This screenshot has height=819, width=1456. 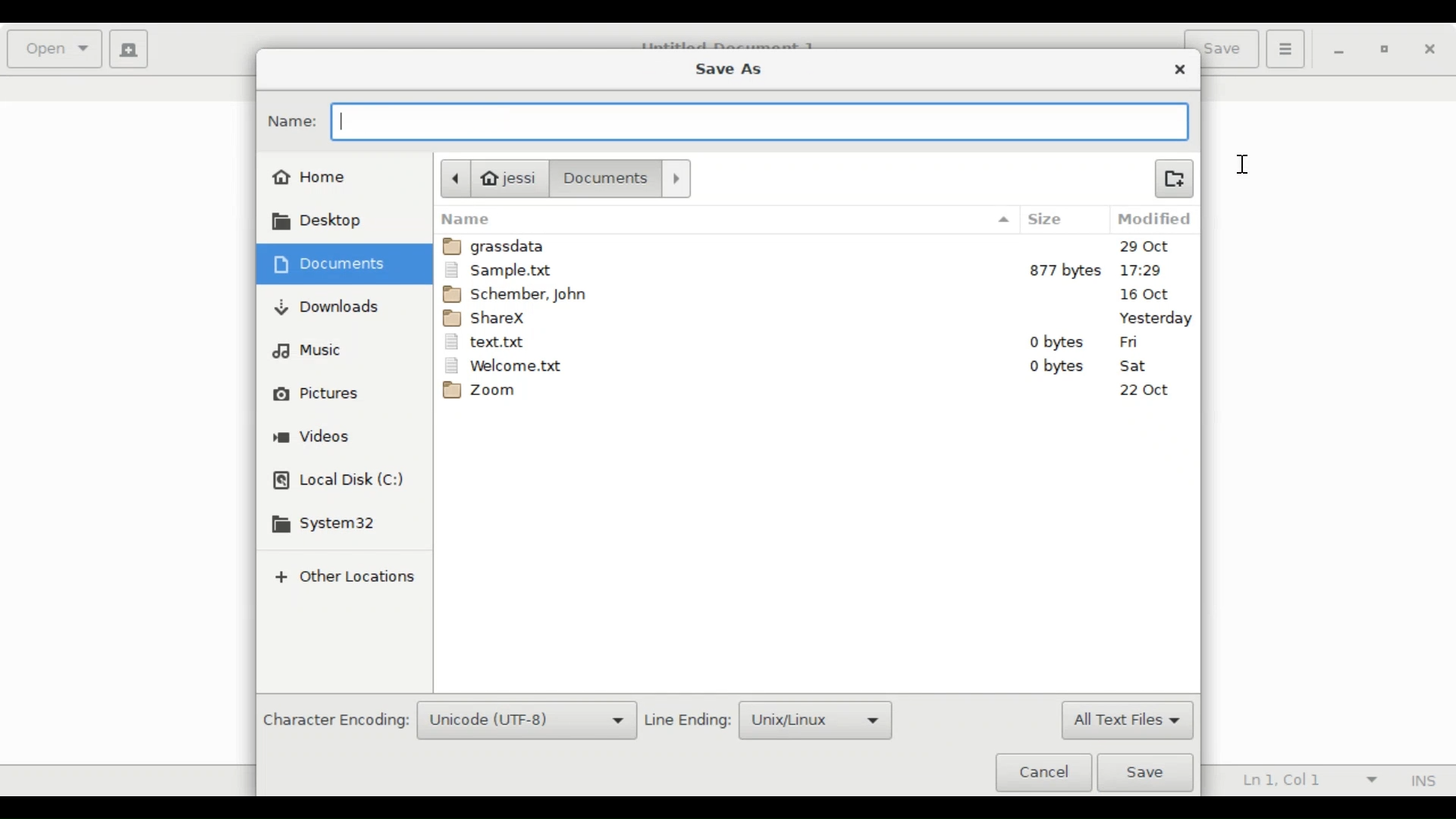 What do you see at coordinates (1430, 50) in the screenshot?
I see `Close` at bounding box center [1430, 50].